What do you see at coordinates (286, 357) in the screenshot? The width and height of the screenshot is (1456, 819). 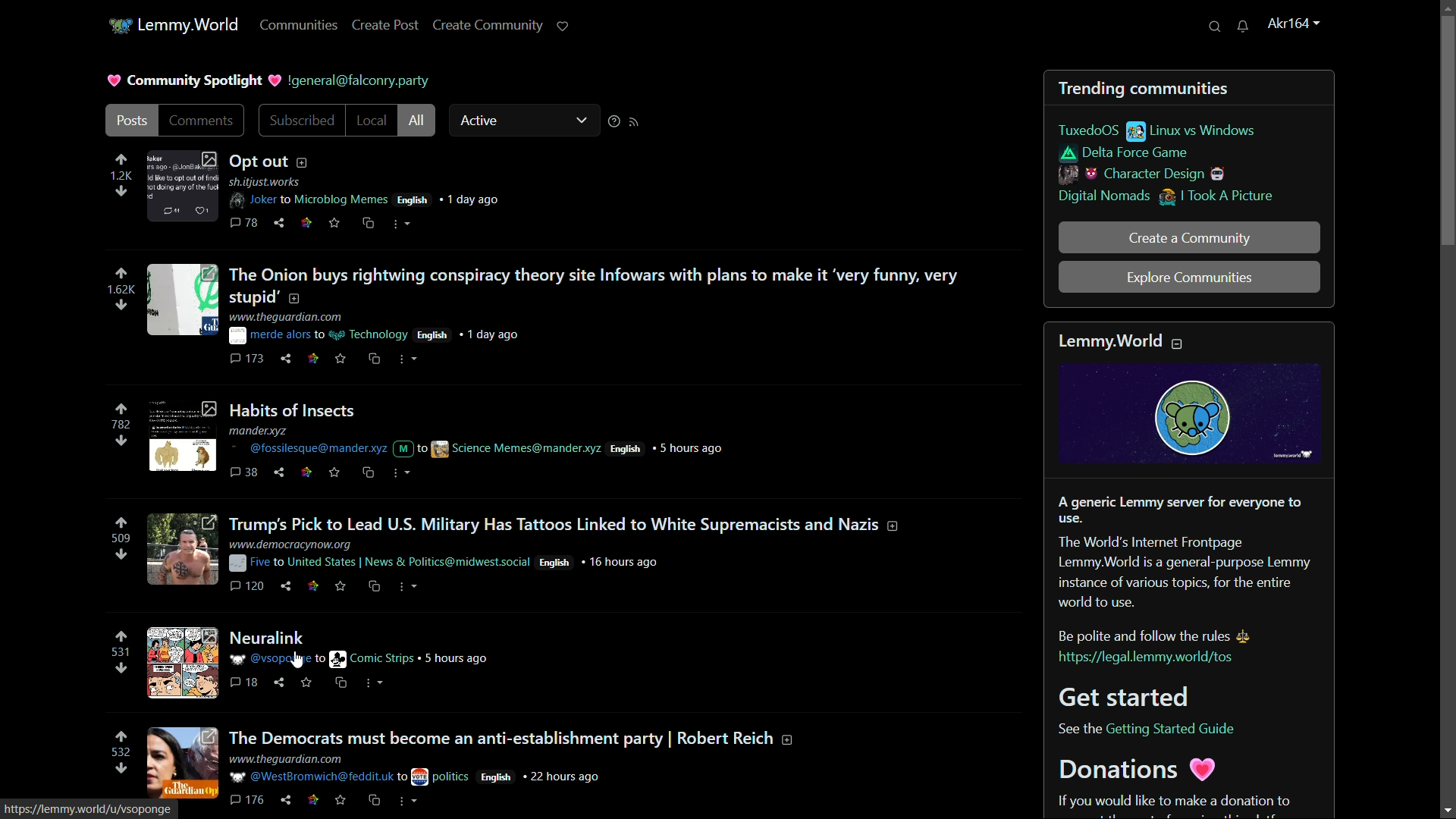 I see `share` at bounding box center [286, 357].